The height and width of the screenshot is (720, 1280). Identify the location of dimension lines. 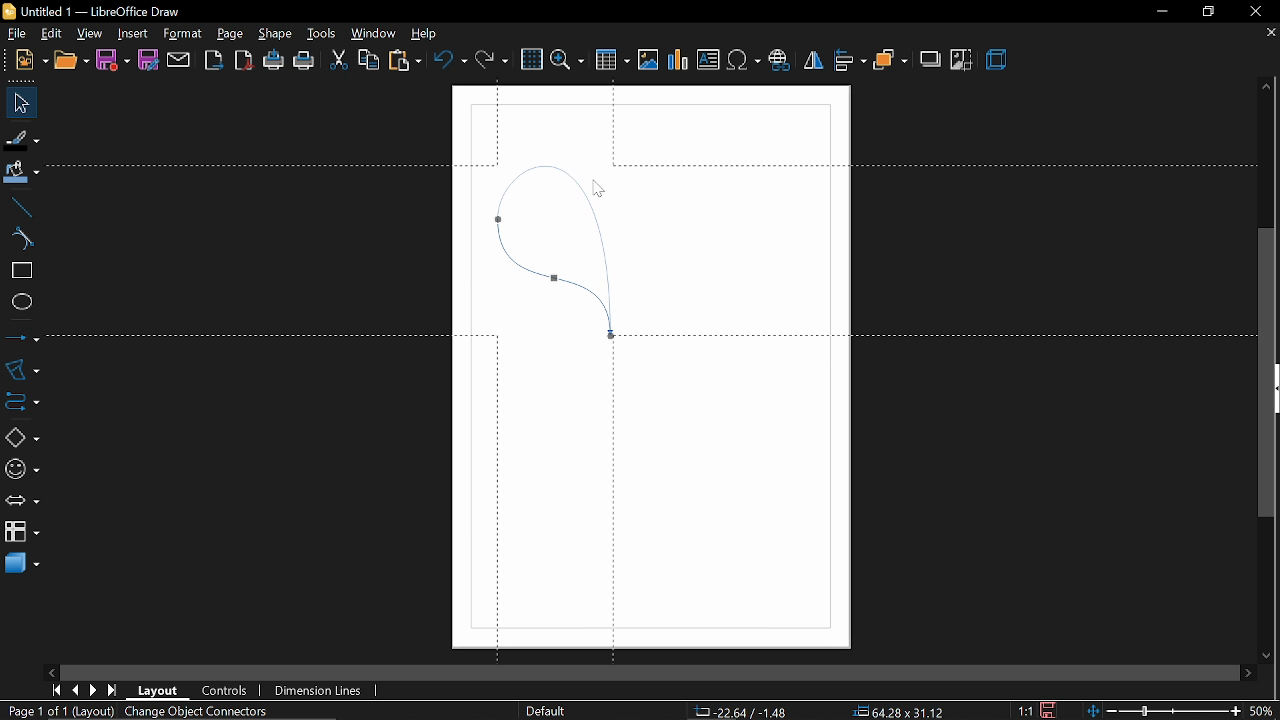
(321, 691).